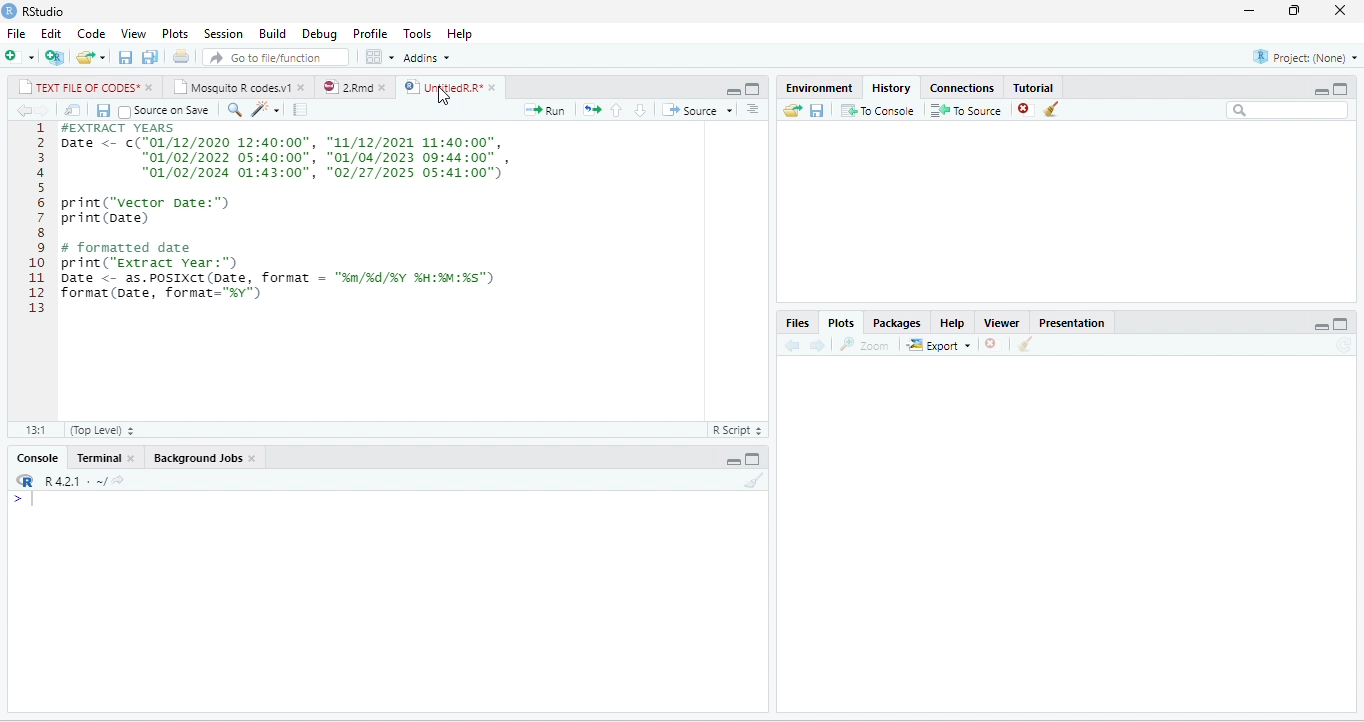 This screenshot has width=1364, height=722. I want to click on R Script, so click(736, 429).